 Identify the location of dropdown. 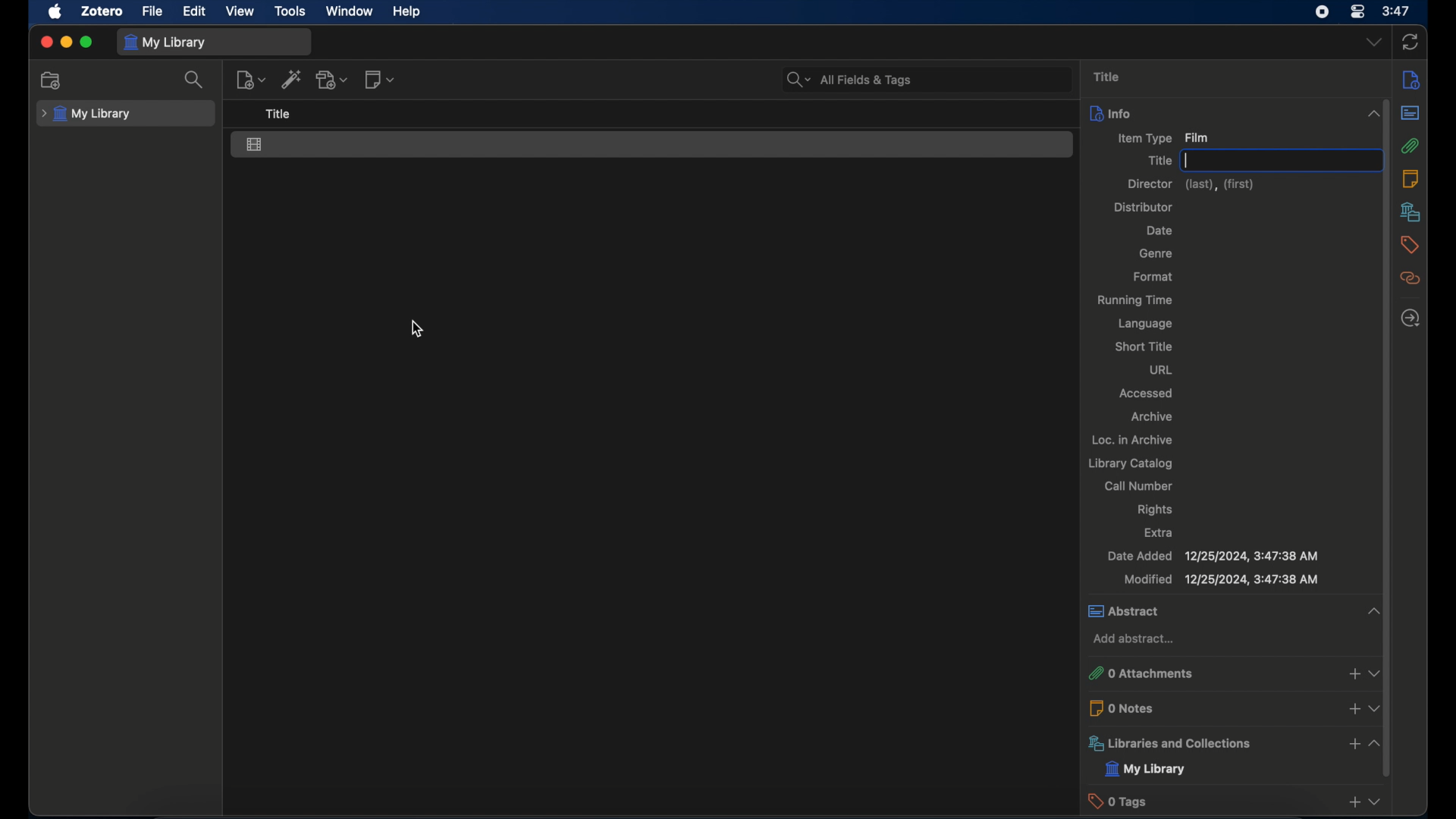
(1373, 43).